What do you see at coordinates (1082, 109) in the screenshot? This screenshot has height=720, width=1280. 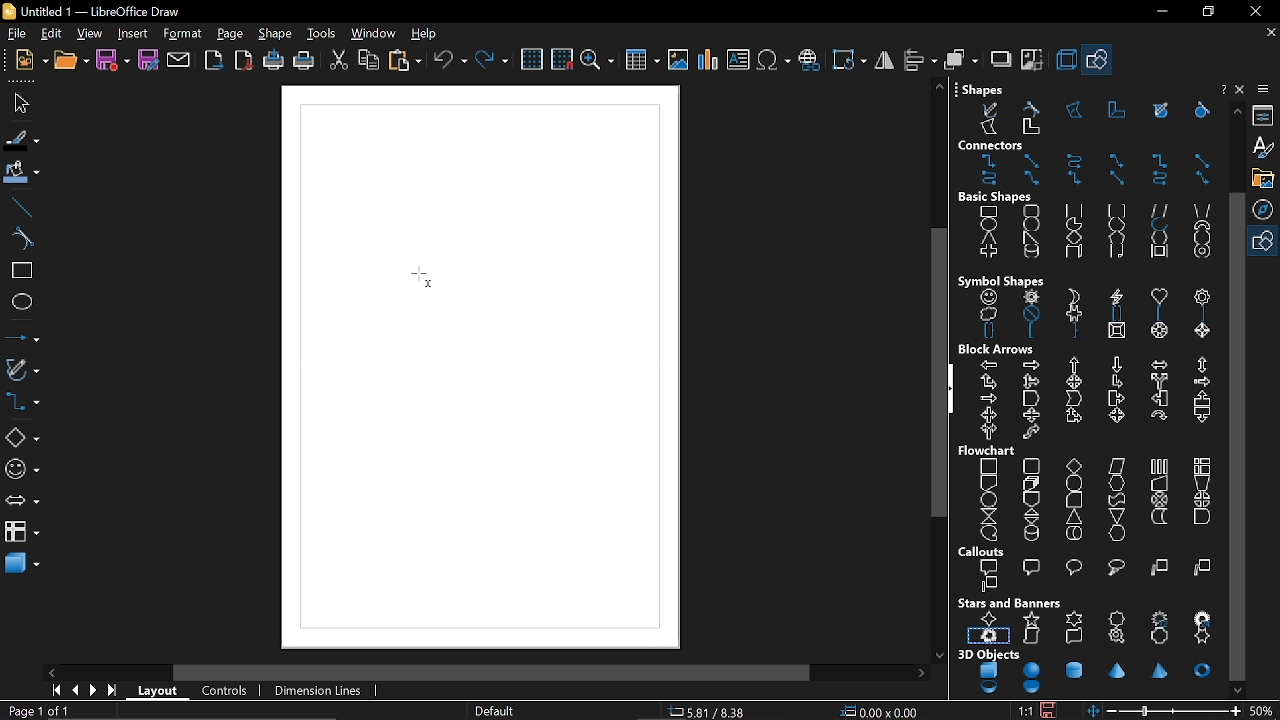 I see `Shapes` at bounding box center [1082, 109].